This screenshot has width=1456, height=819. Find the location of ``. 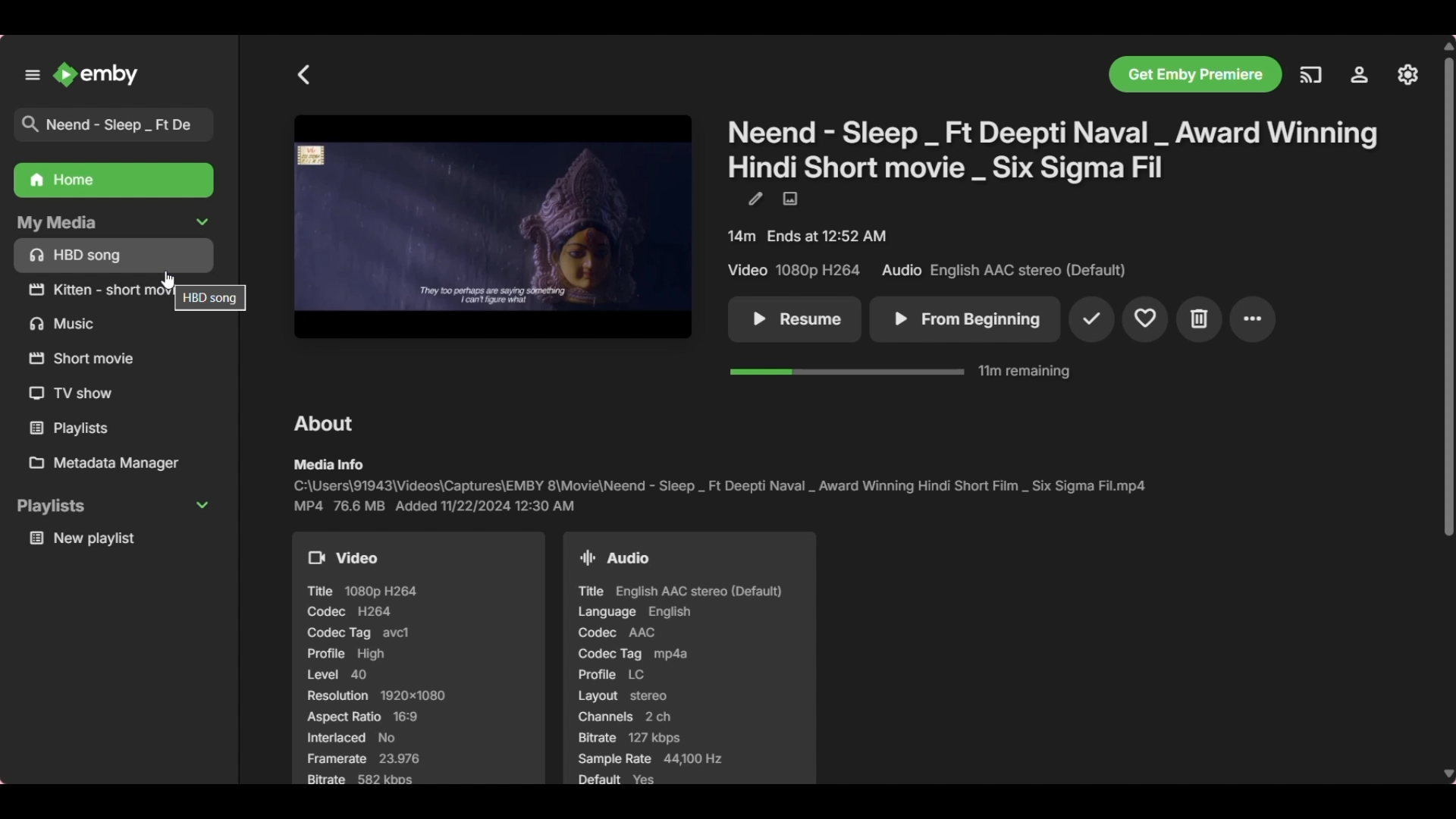

 is located at coordinates (76, 394).